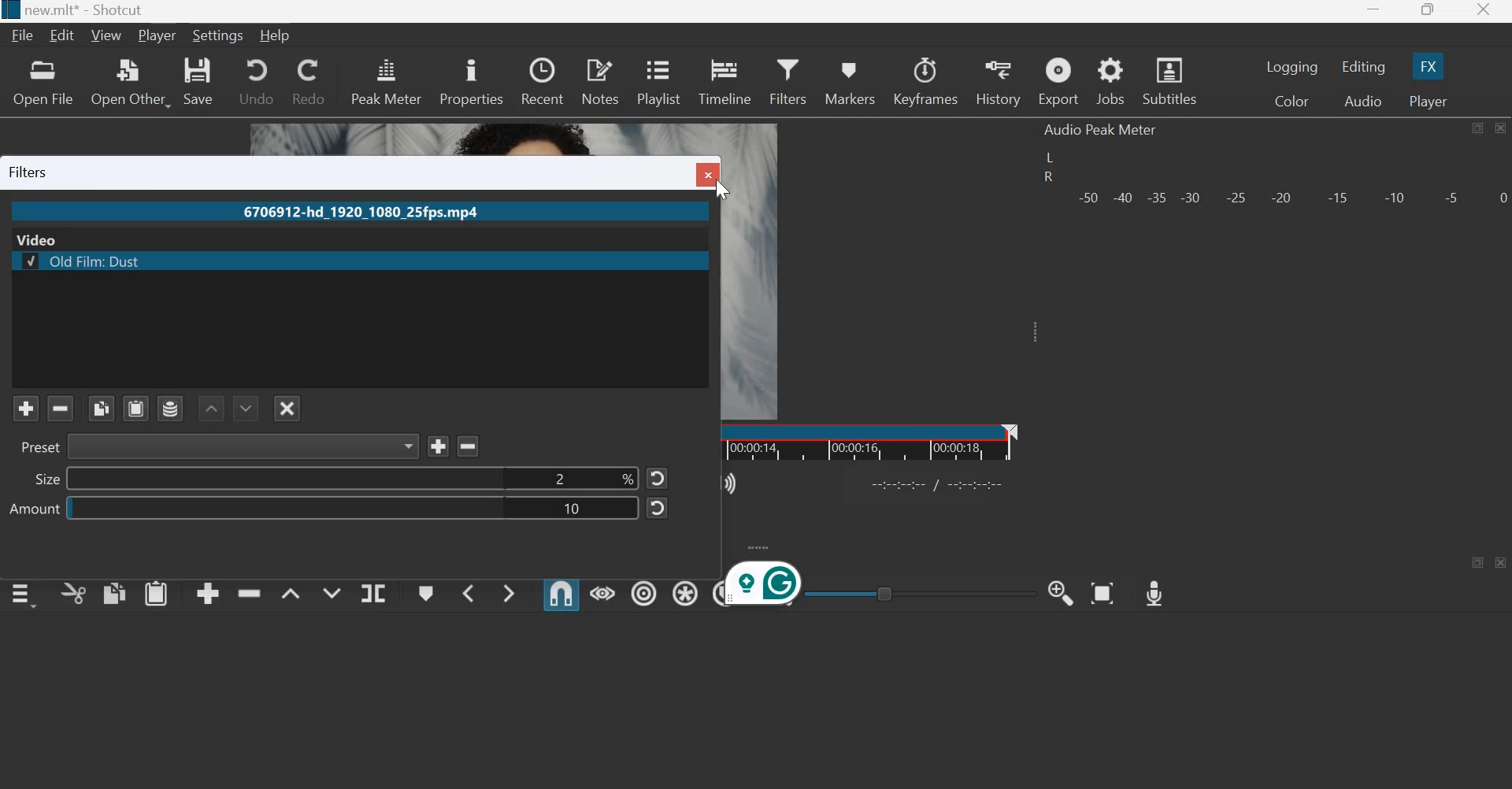 This screenshot has width=1512, height=789. Describe the element at coordinates (157, 592) in the screenshot. I see `paste` at that location.